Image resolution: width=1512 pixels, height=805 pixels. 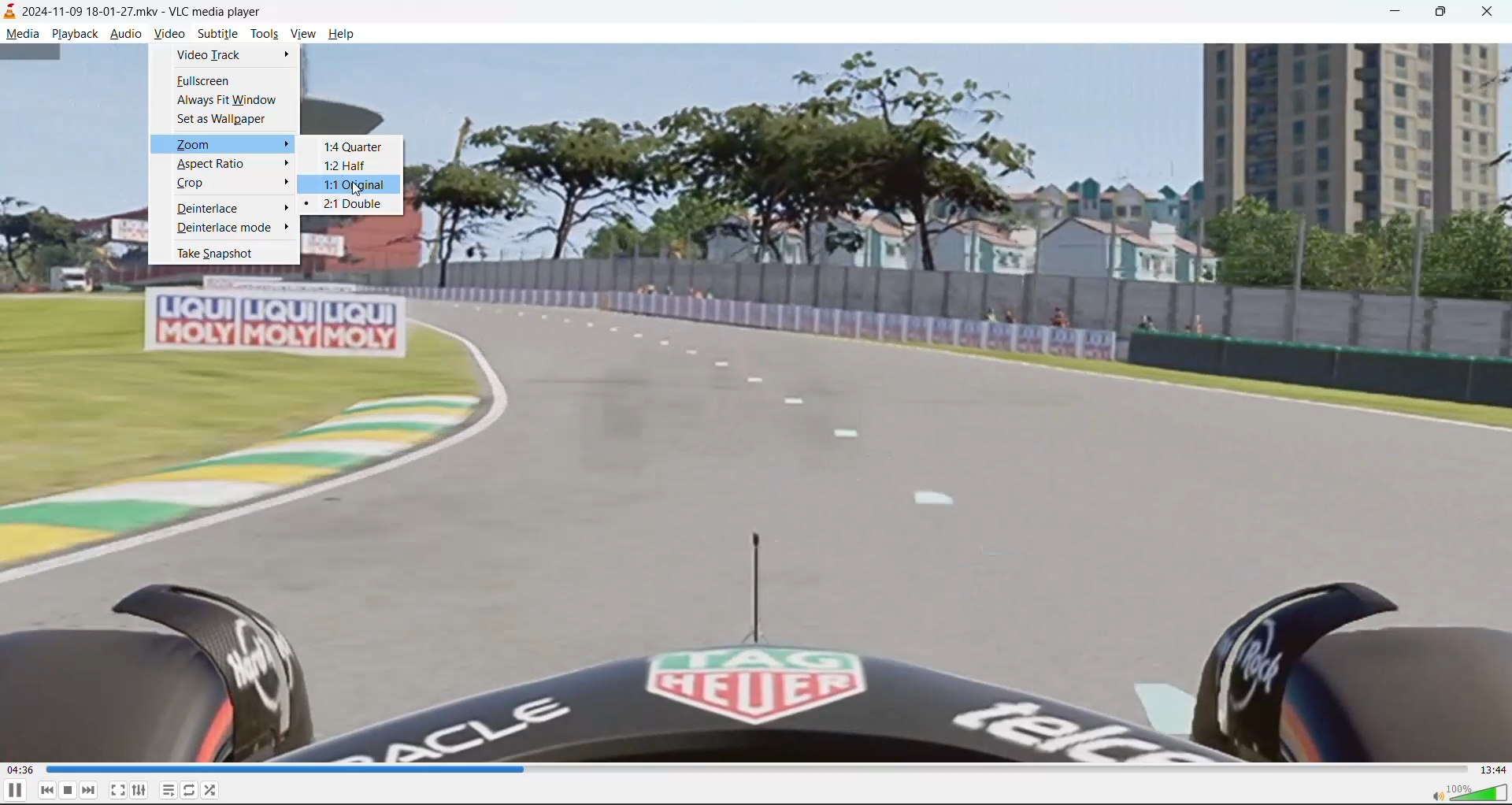 What do you see at coordinates (1492, 12) in the screenshot?
I see `close` at bounding box center [1492, 12].